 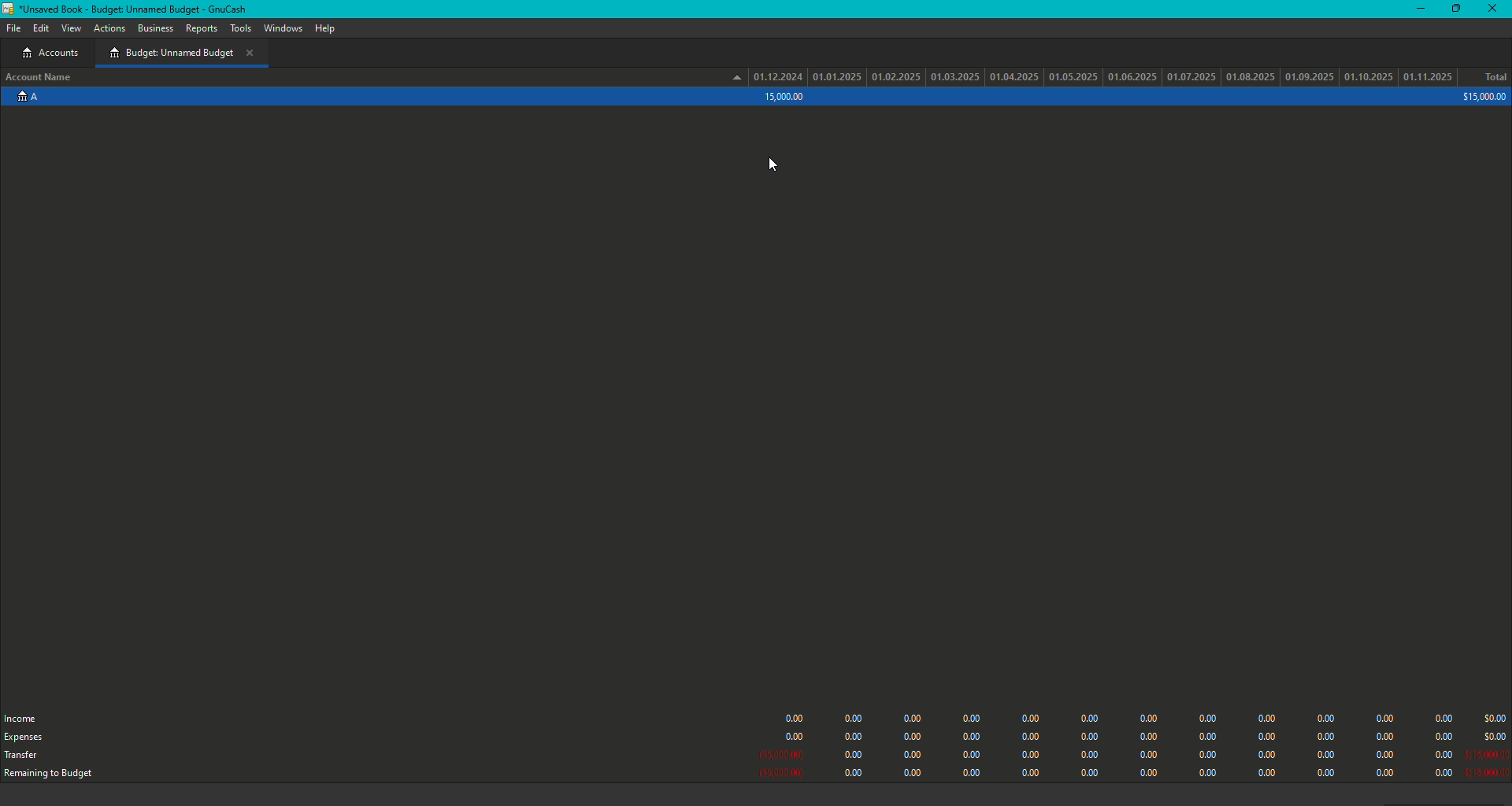 What do you see at coordinates (155, 28) in the screenshot?
I see `Business` at bounding box center [155, 28].